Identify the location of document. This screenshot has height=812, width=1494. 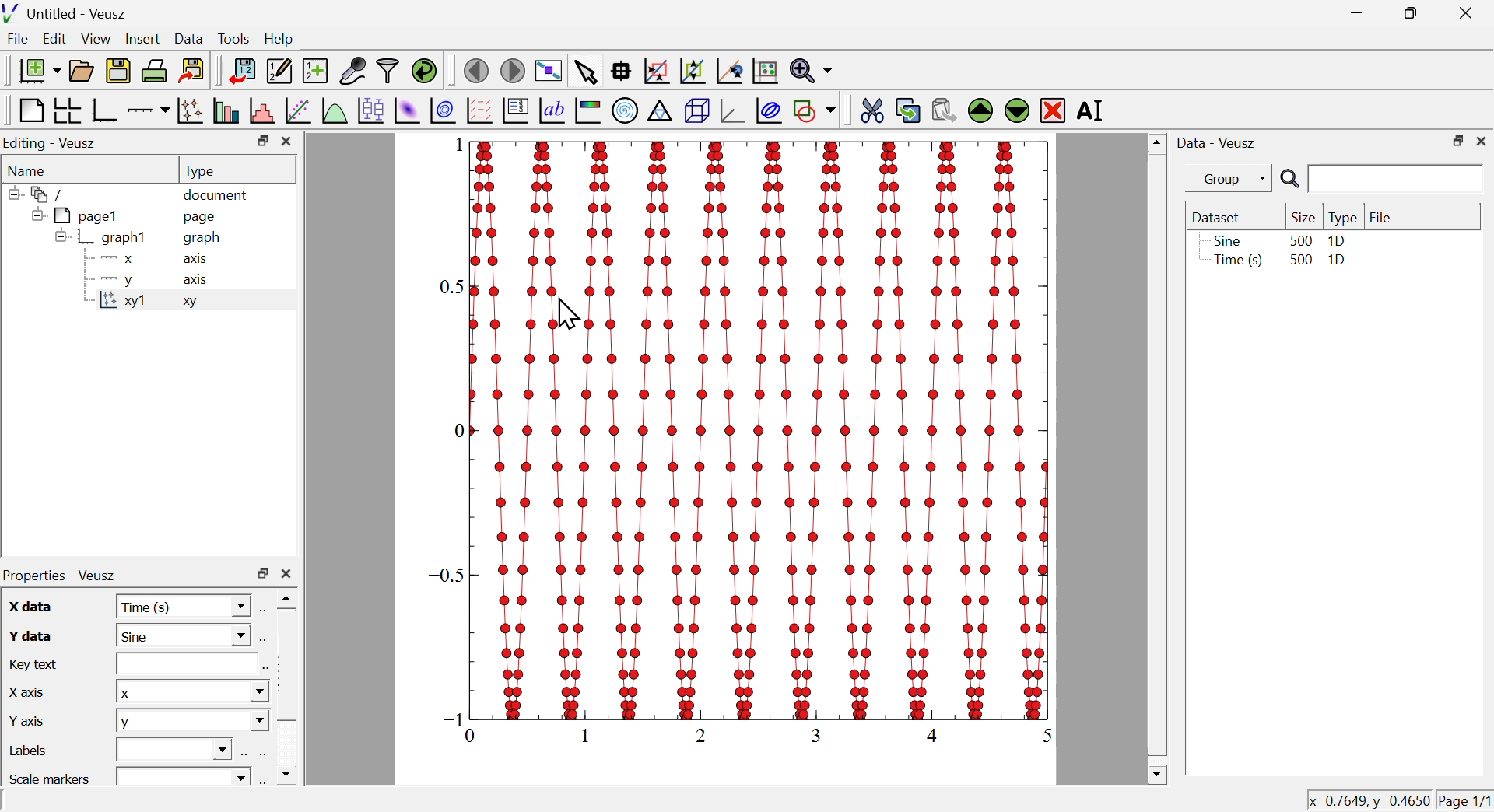
(217, 196).